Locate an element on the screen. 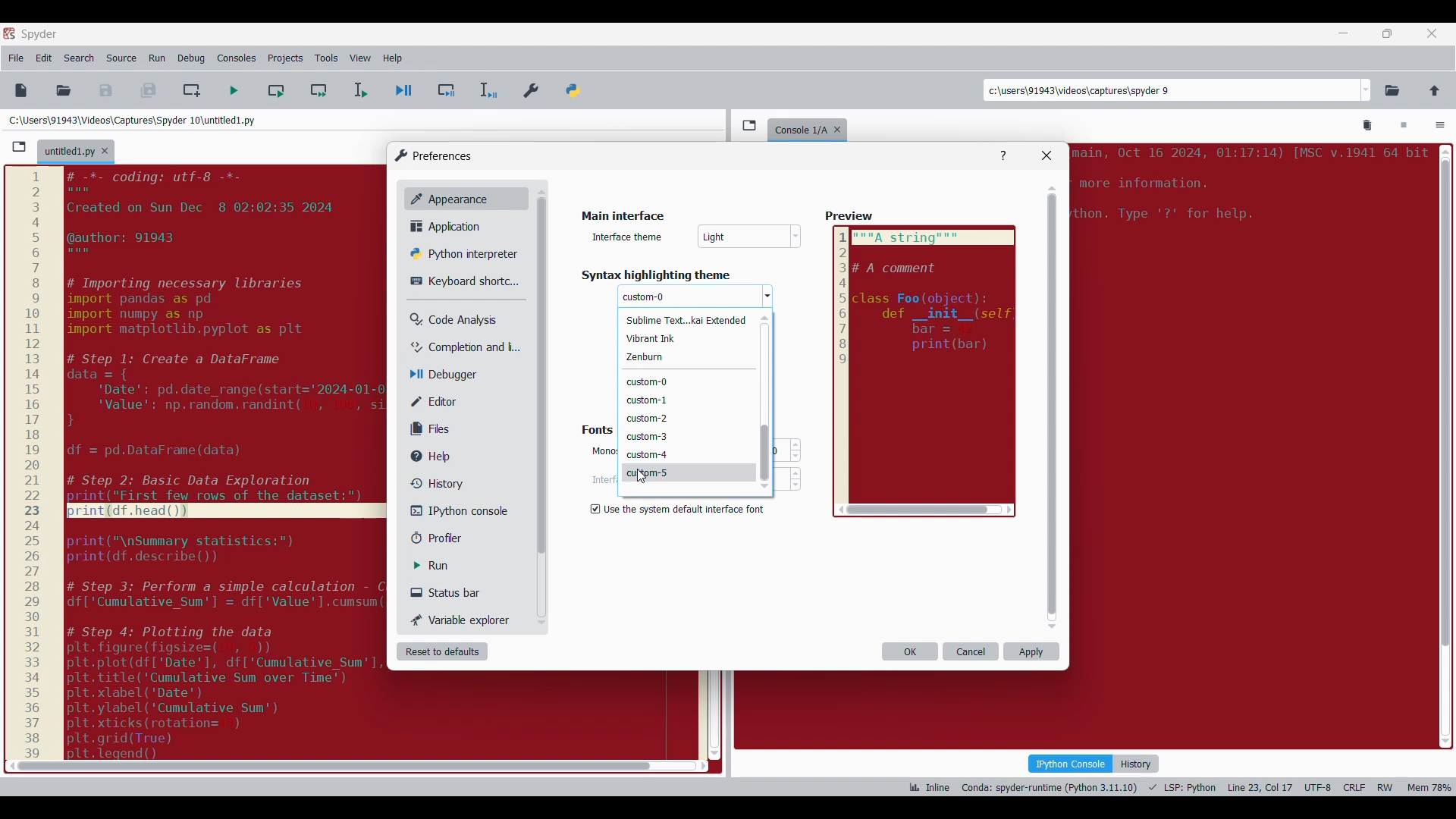 Image resolution: width=1456 pixels, height=819 pixels. Software logo is located at coordinates (9, 33).